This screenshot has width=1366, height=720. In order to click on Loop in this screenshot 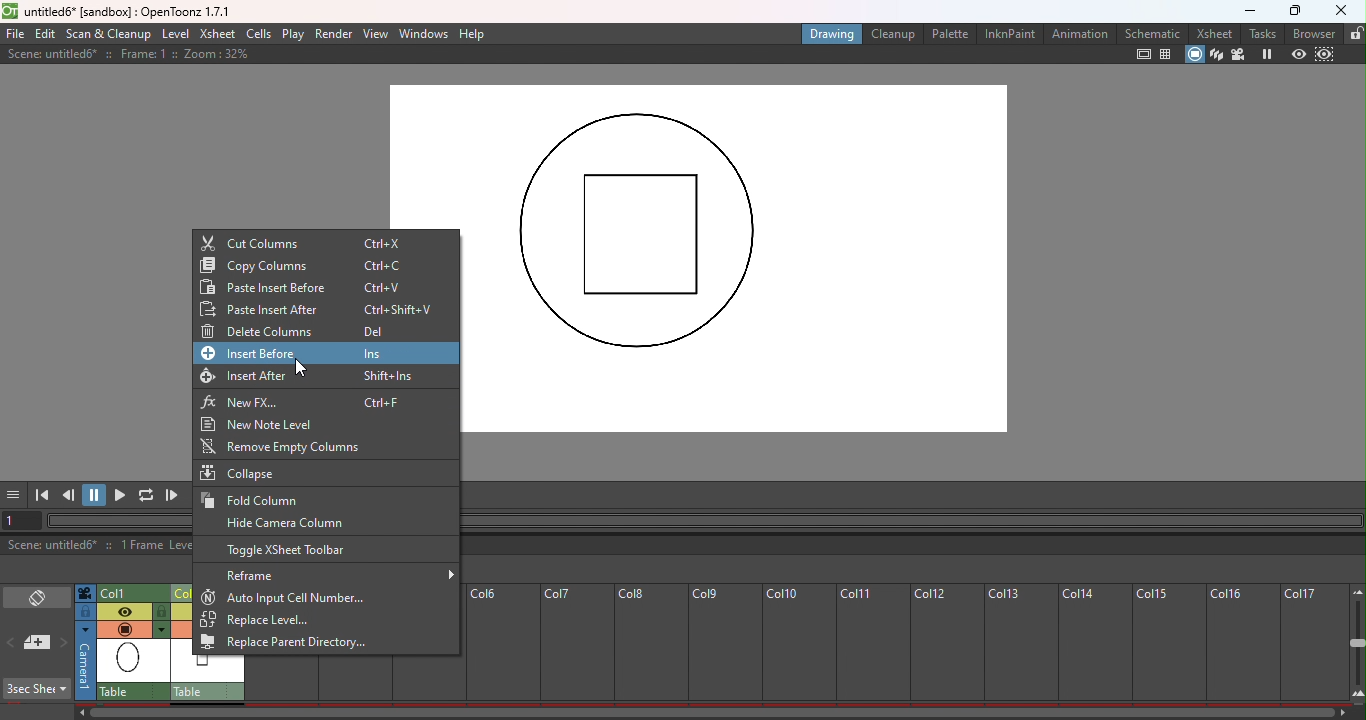, I will do `click(146, 495)`.